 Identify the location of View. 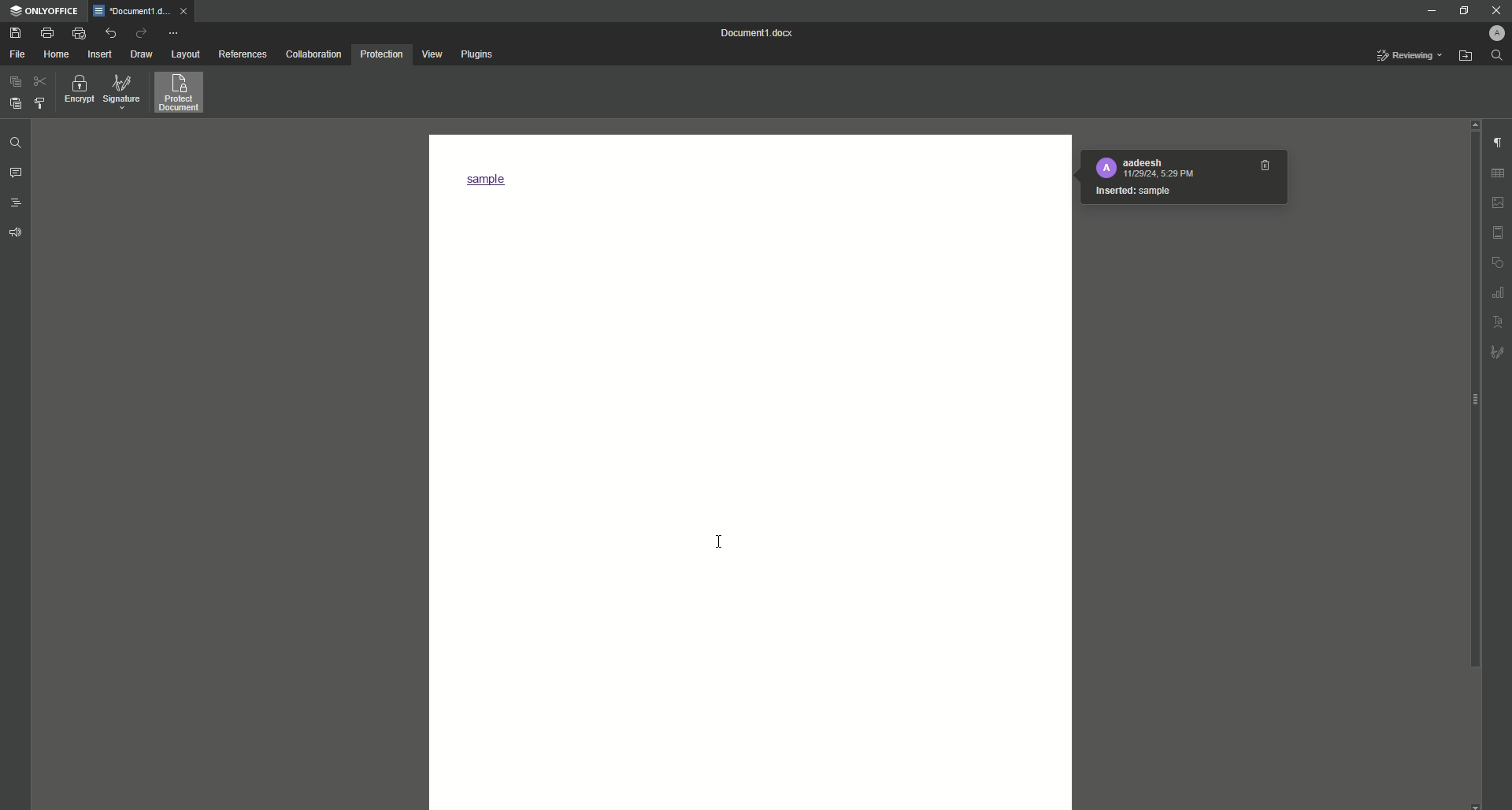
(430, 54).